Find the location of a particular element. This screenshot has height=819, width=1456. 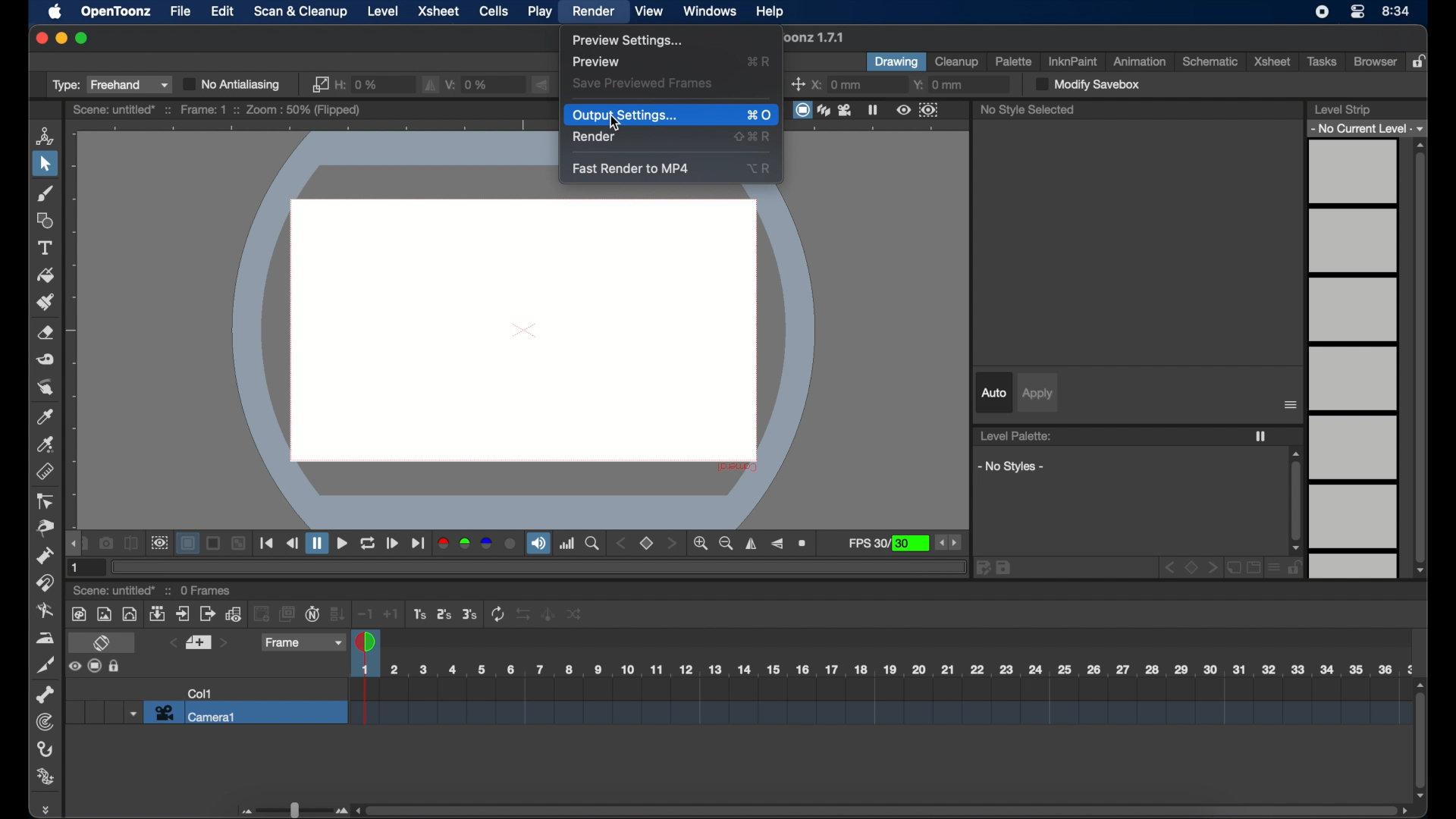

 is located at coordinates (105, 616).